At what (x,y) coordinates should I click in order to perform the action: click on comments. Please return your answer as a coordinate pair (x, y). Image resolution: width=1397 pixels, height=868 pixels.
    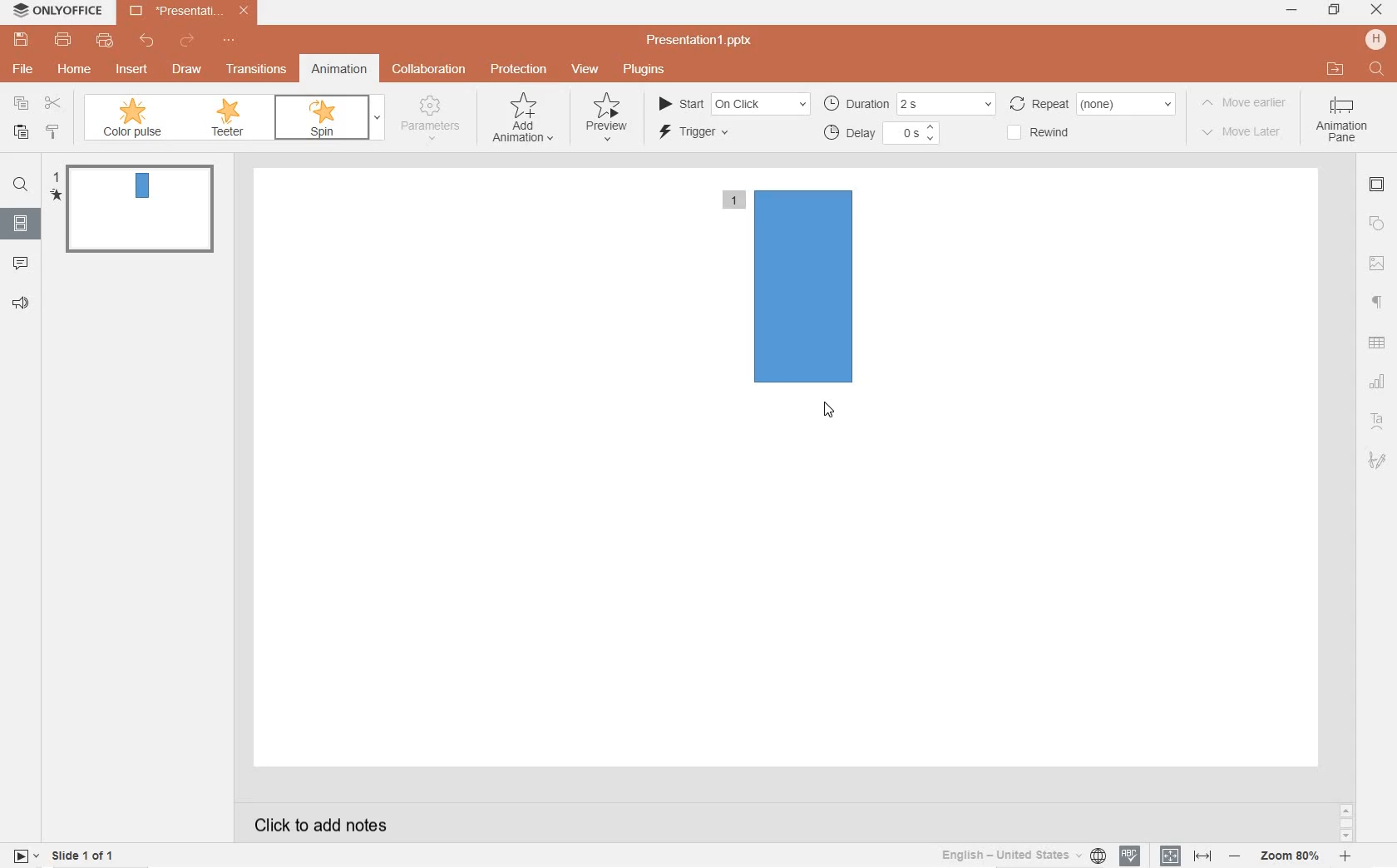
    Looking at the image, I should click on (22, 262).